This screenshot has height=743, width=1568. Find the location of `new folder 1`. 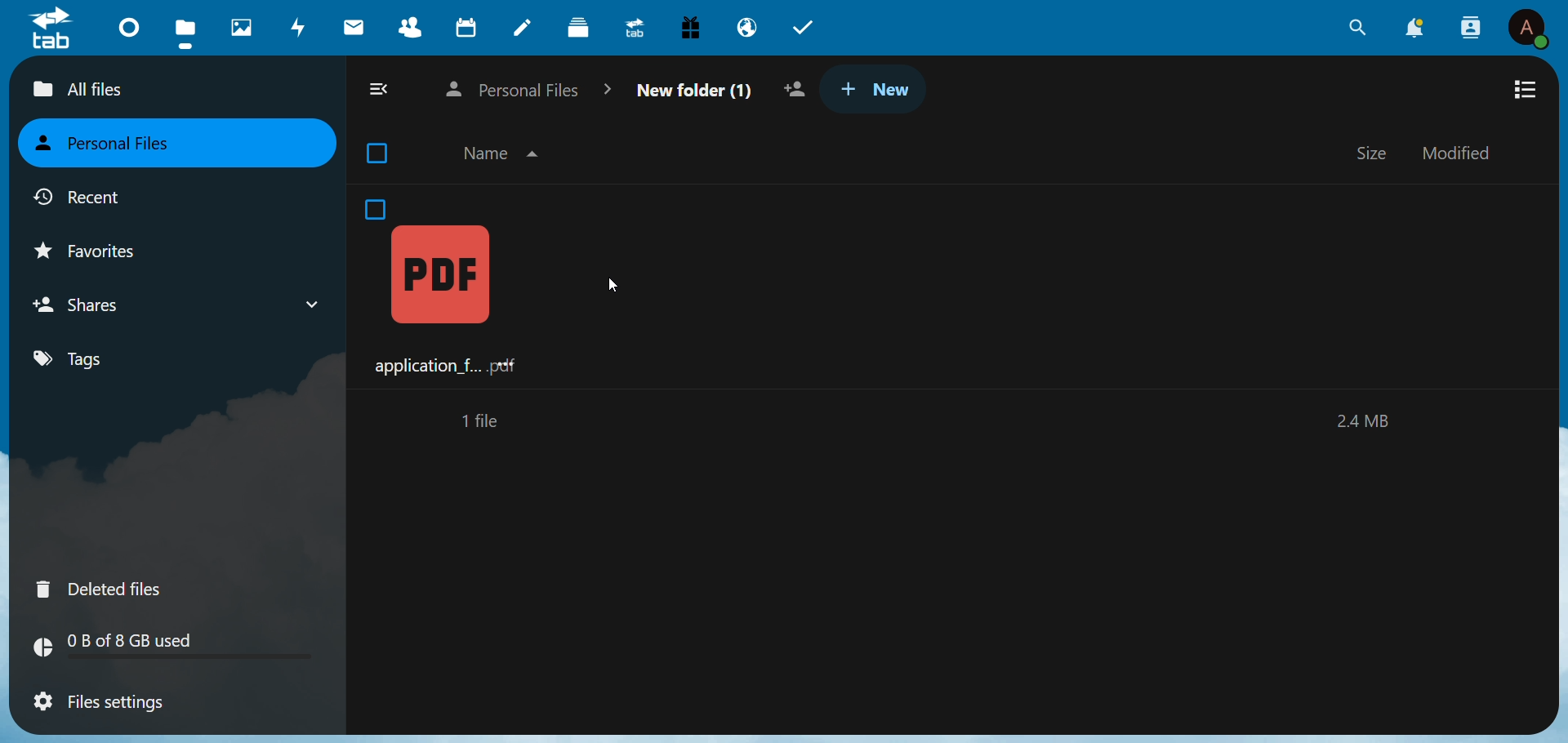

new folder 1 is located at coordinates (692, 87).